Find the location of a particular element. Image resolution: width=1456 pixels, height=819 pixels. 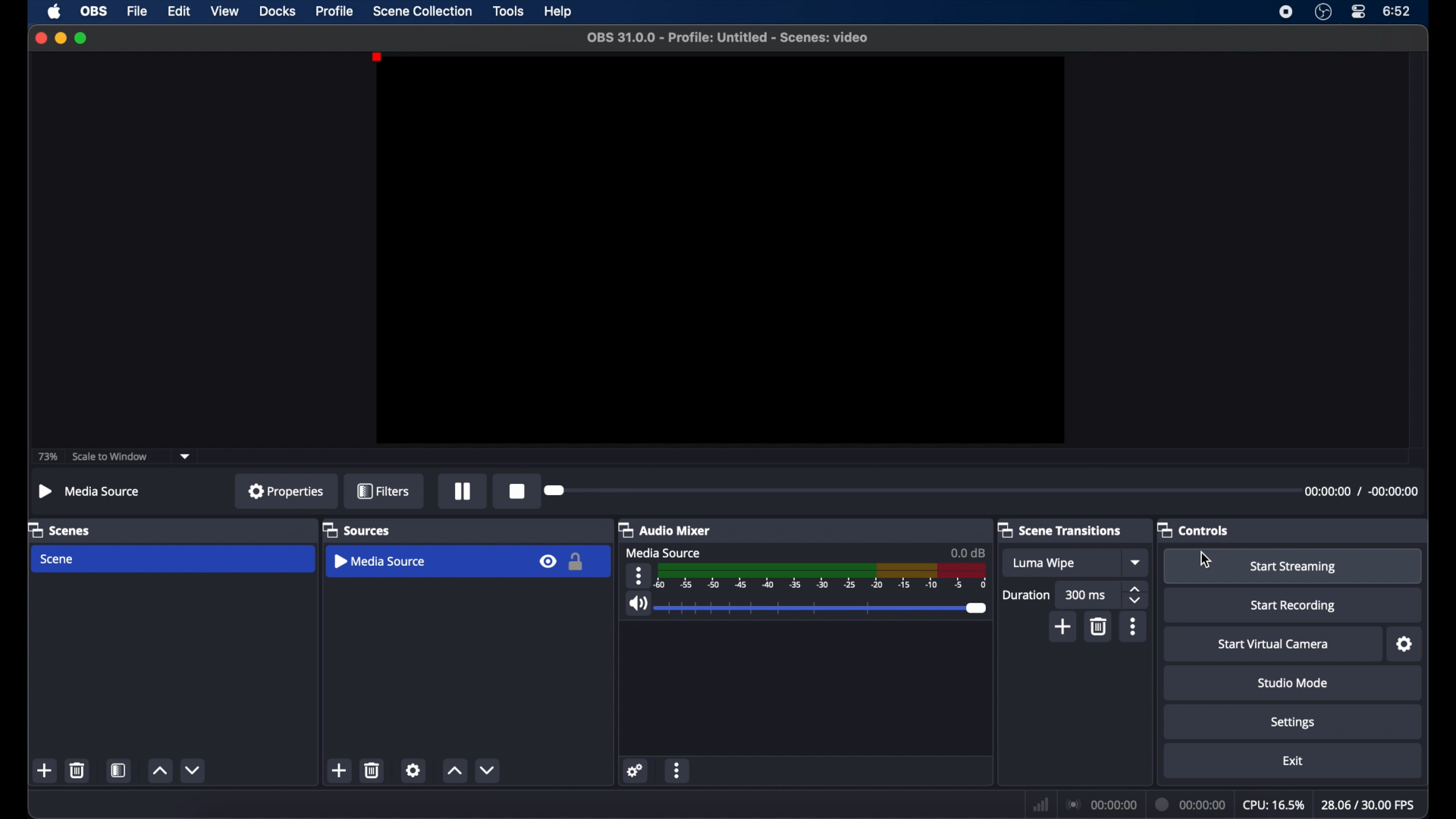

media source is located at coordinates (381, 562).